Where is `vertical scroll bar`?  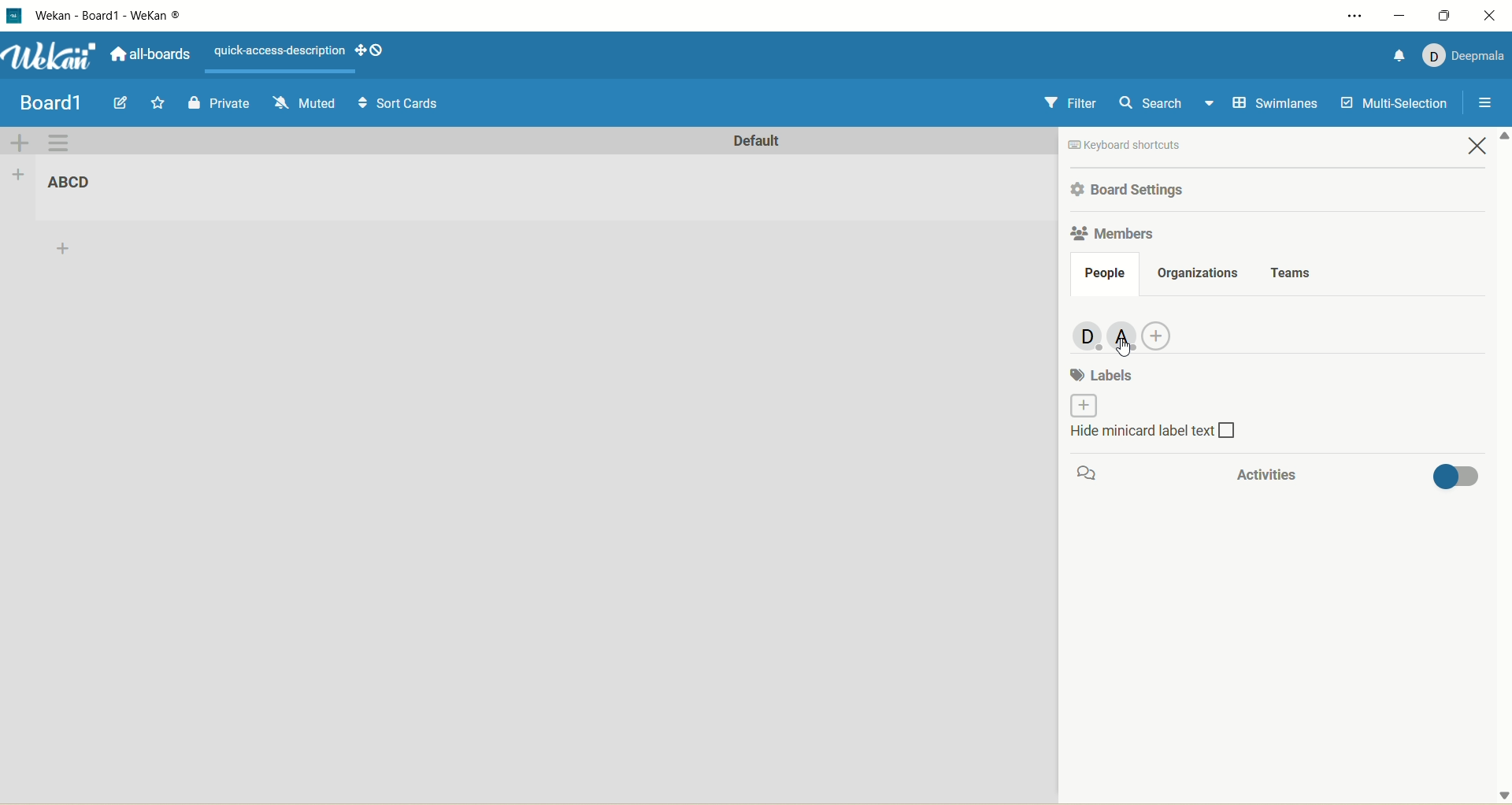 vertical scroll bar is located at coordinates (1503, 467).